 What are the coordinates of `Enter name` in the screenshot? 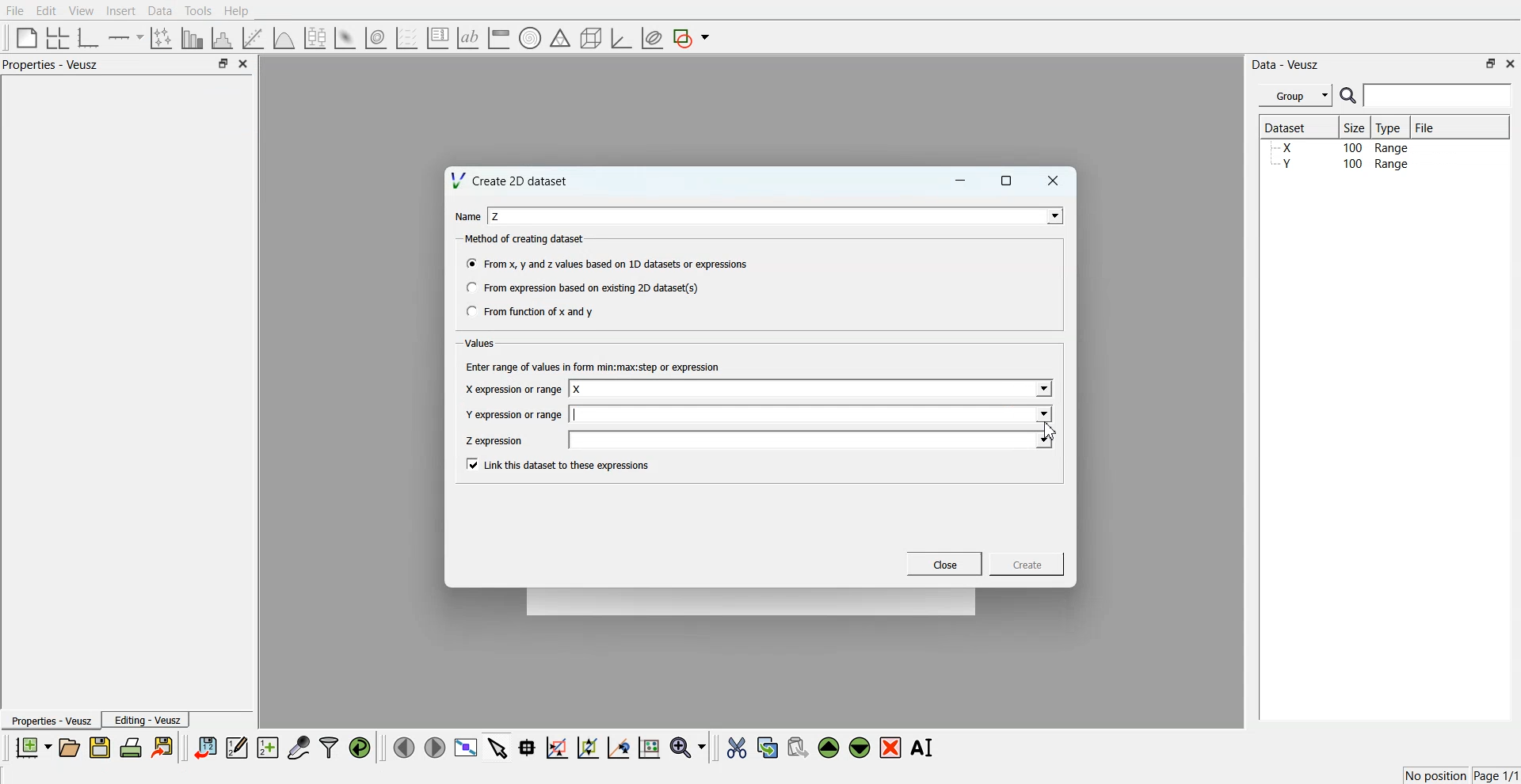 It's located at (814, 440).